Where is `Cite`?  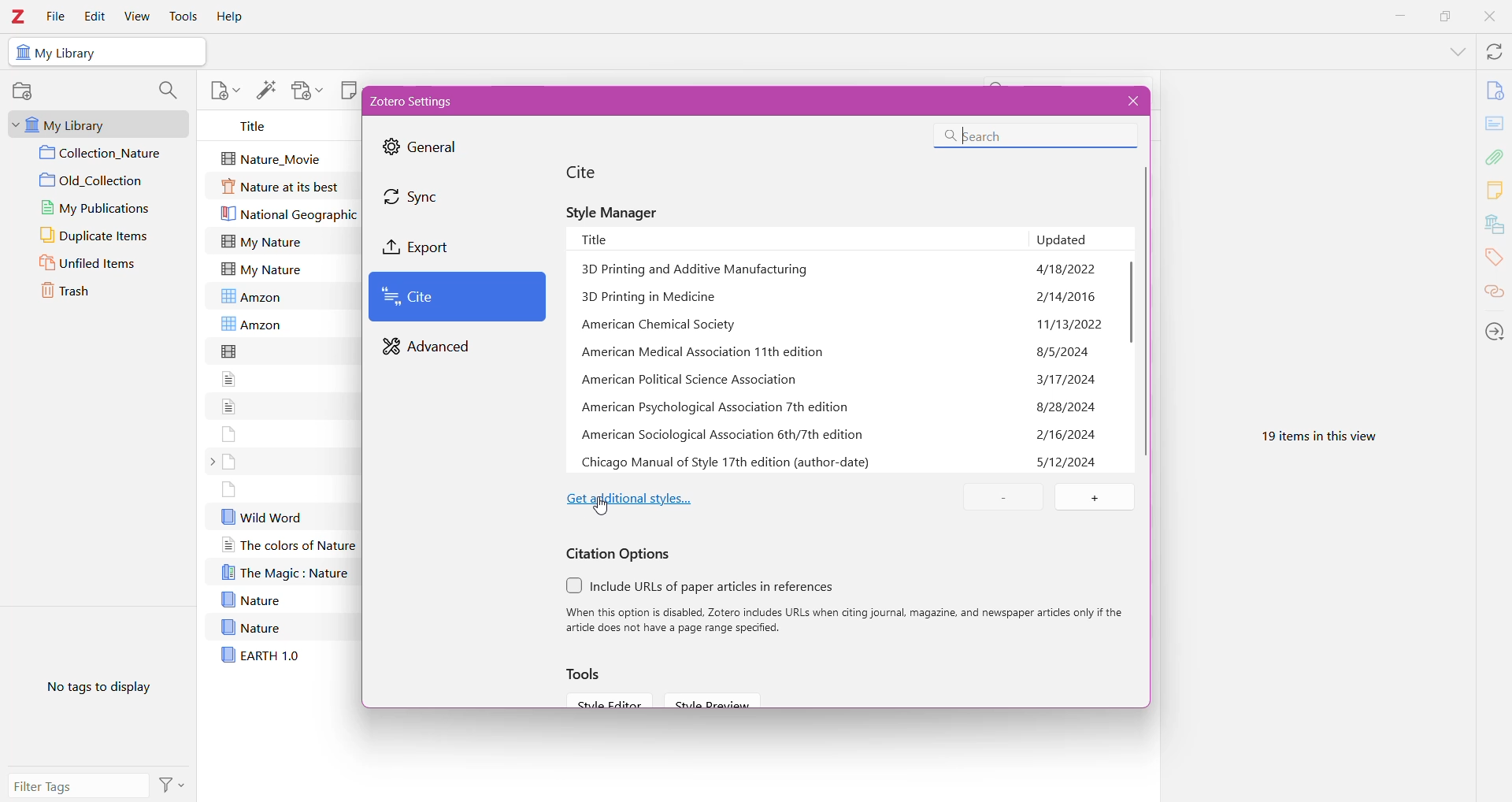 Cite is located at coordinates (458, 298).